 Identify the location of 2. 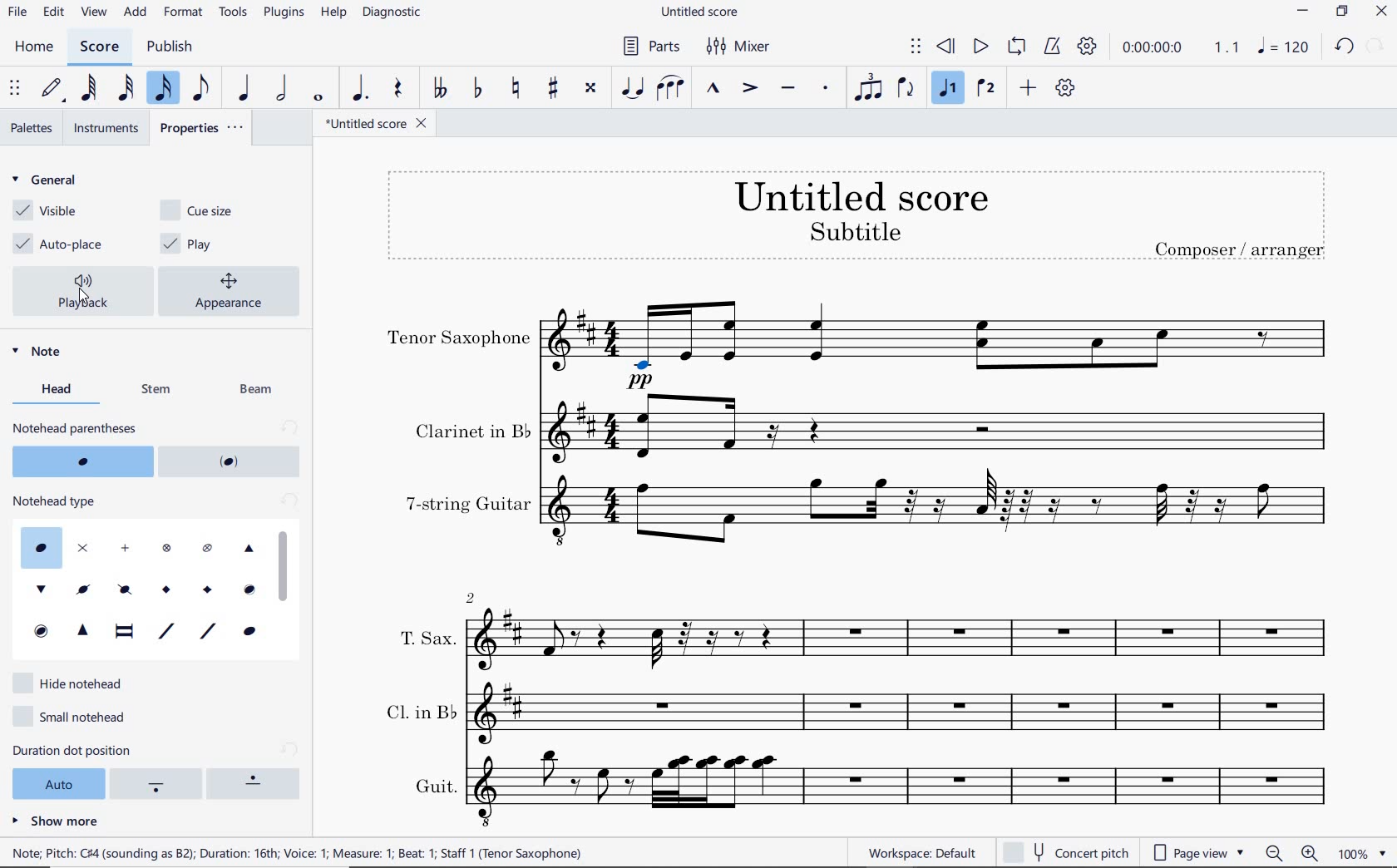
(471, 596).